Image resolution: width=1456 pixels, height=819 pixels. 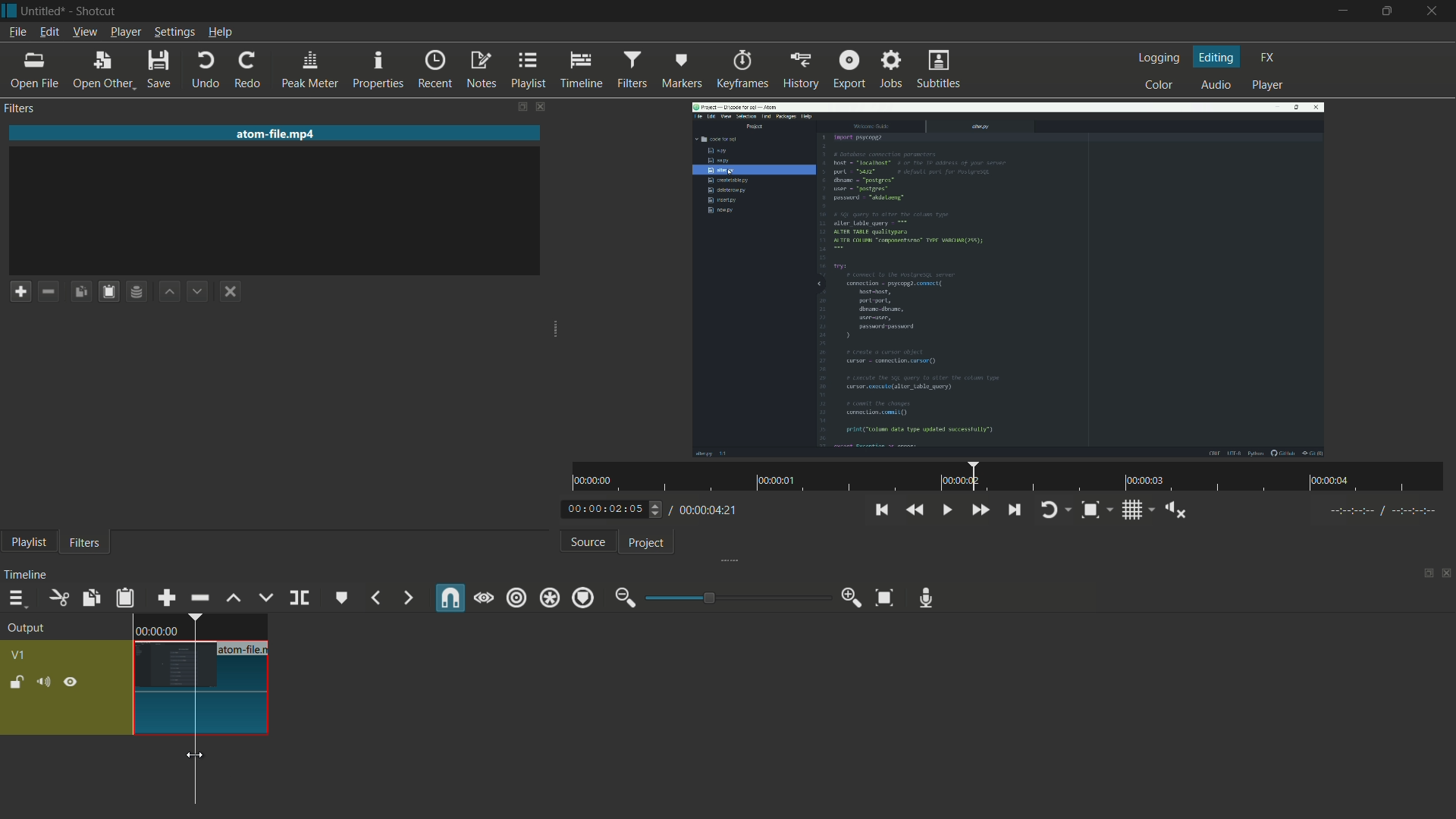 What do you see at coordinates (171, 291) in the screenshot?
I see `move filter up` at bounding box center [171, 291].